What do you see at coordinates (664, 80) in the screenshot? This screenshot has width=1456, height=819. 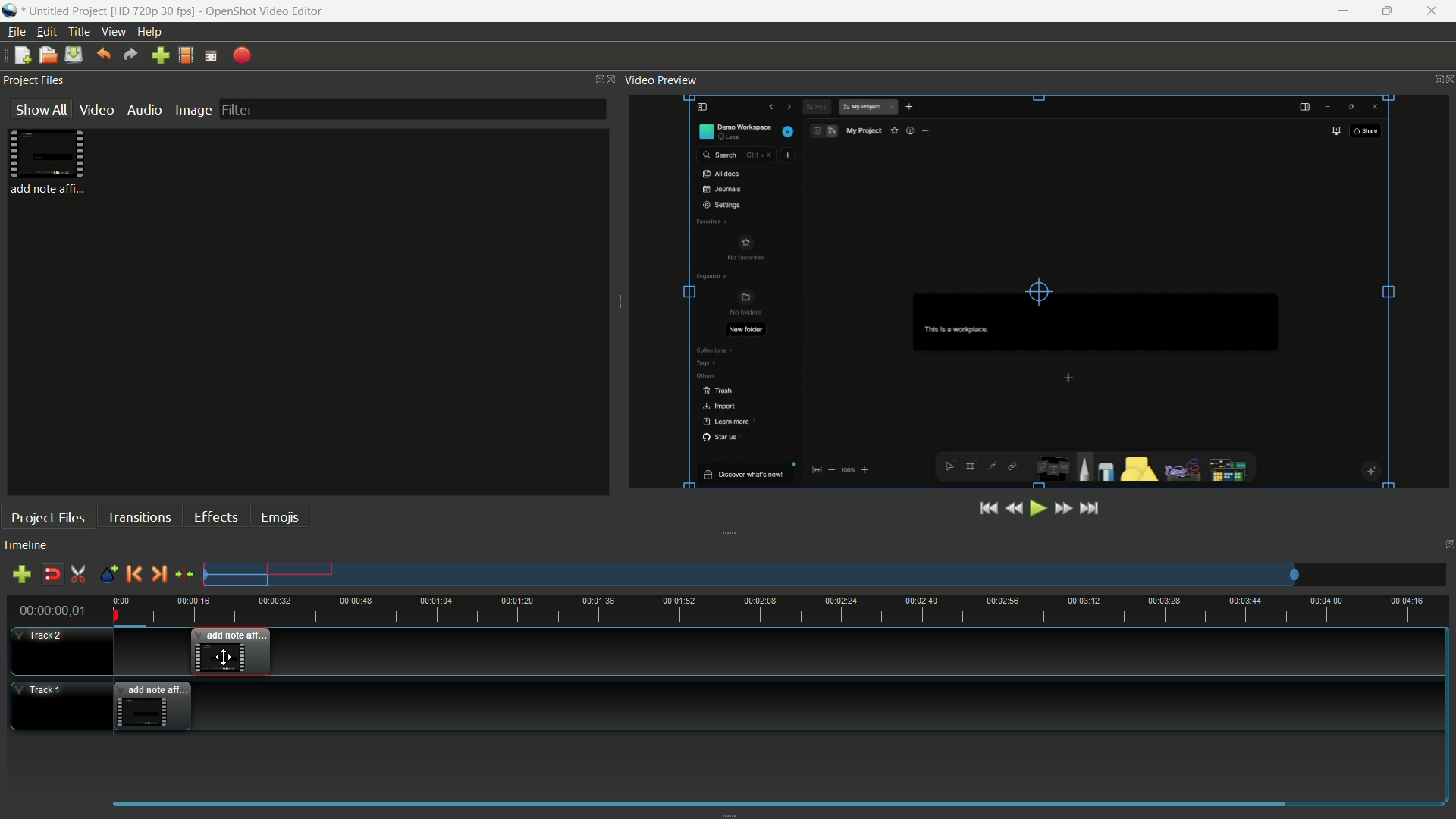 I see `video preview` at bounding box center [664, 80].